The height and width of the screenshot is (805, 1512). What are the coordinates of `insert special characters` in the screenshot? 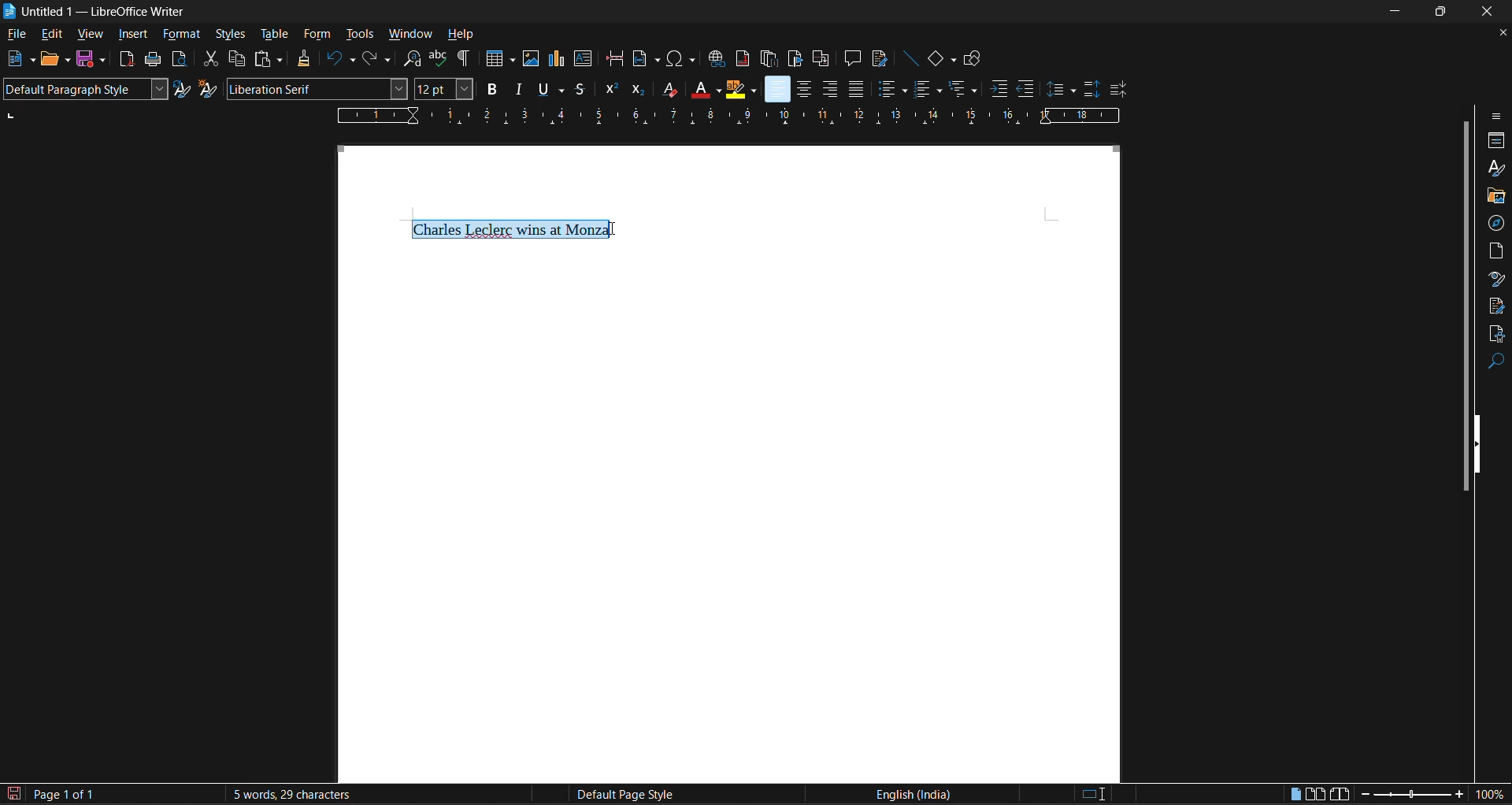 It's located at (680, 58).